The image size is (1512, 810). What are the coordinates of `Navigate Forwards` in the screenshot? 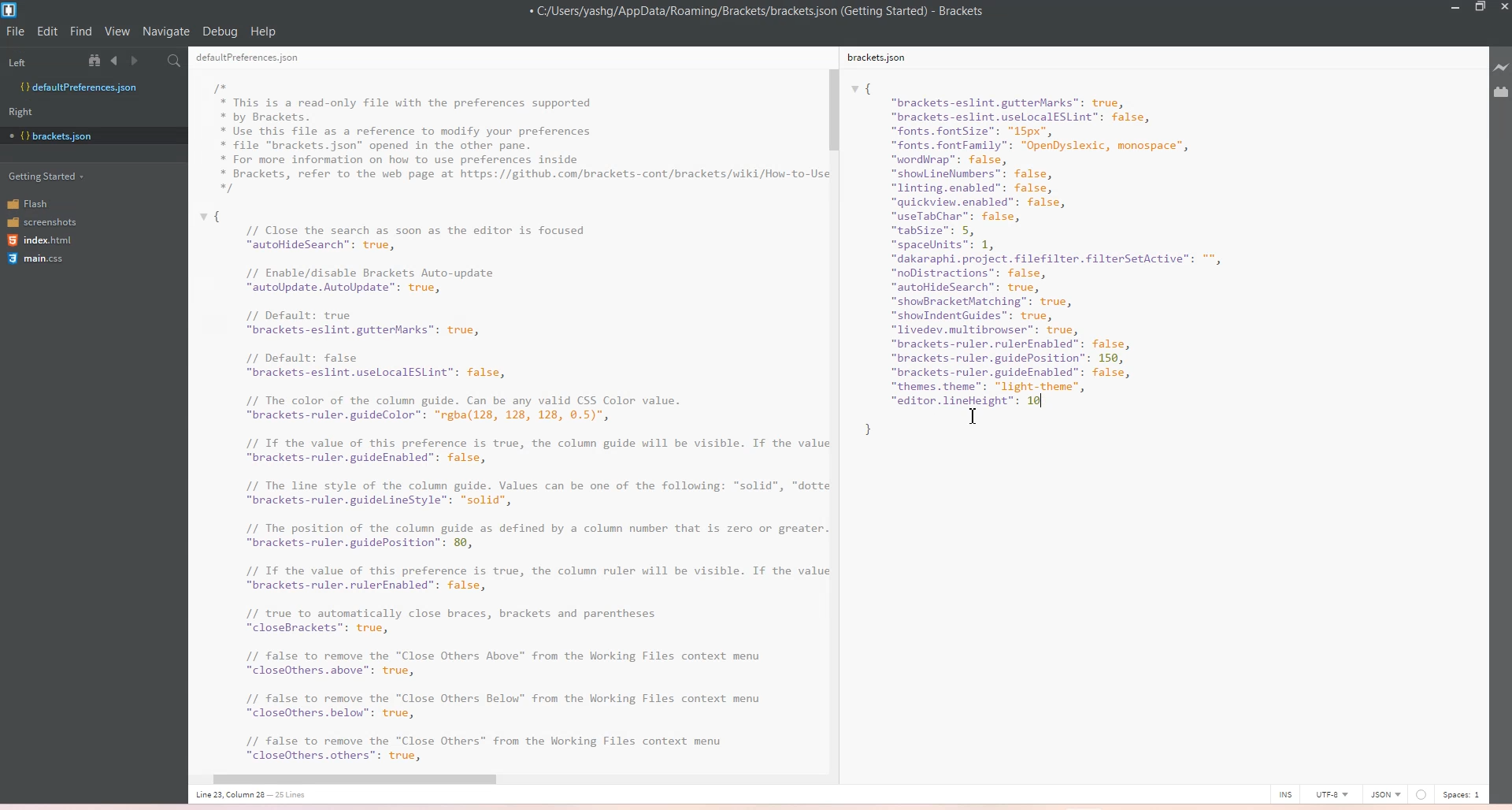 It's located at (137, 61).